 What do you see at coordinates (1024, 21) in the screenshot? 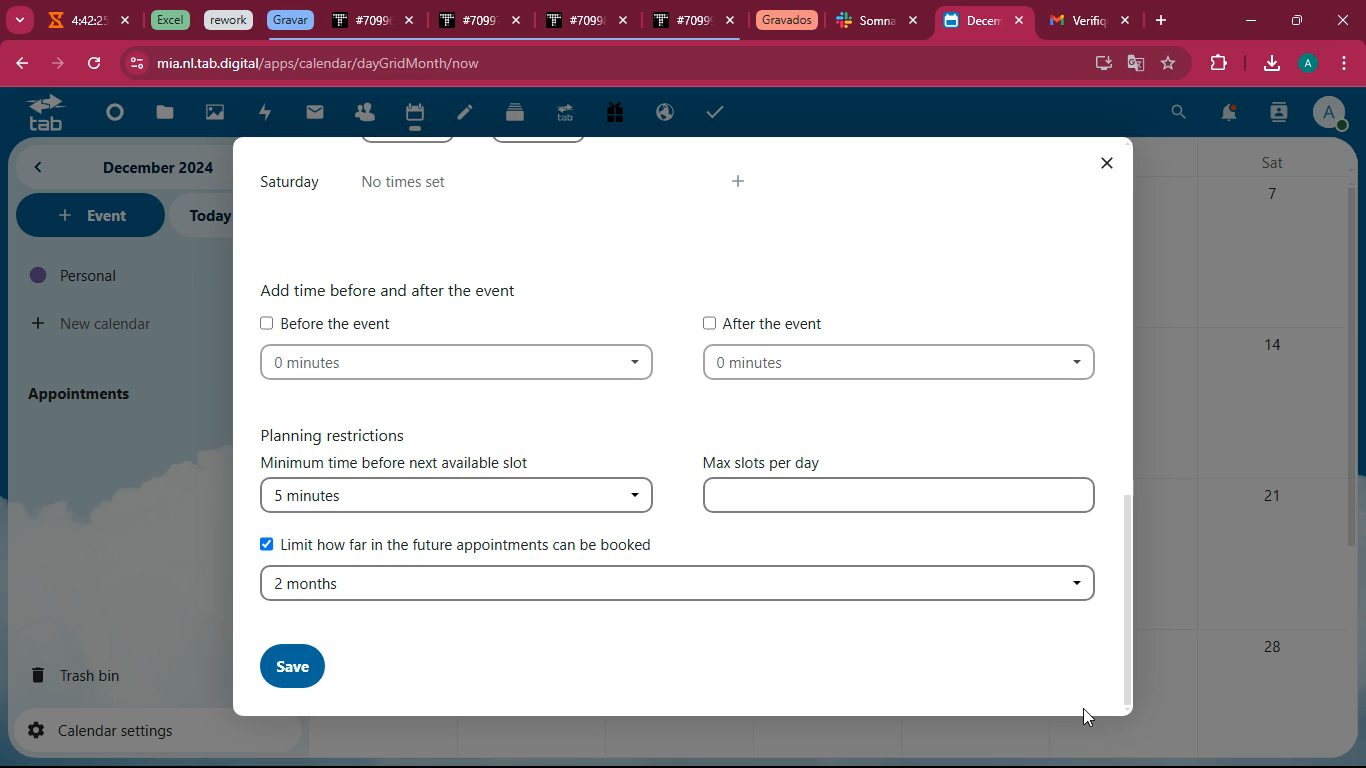
I see `close` at bounding box center [1024, 21].